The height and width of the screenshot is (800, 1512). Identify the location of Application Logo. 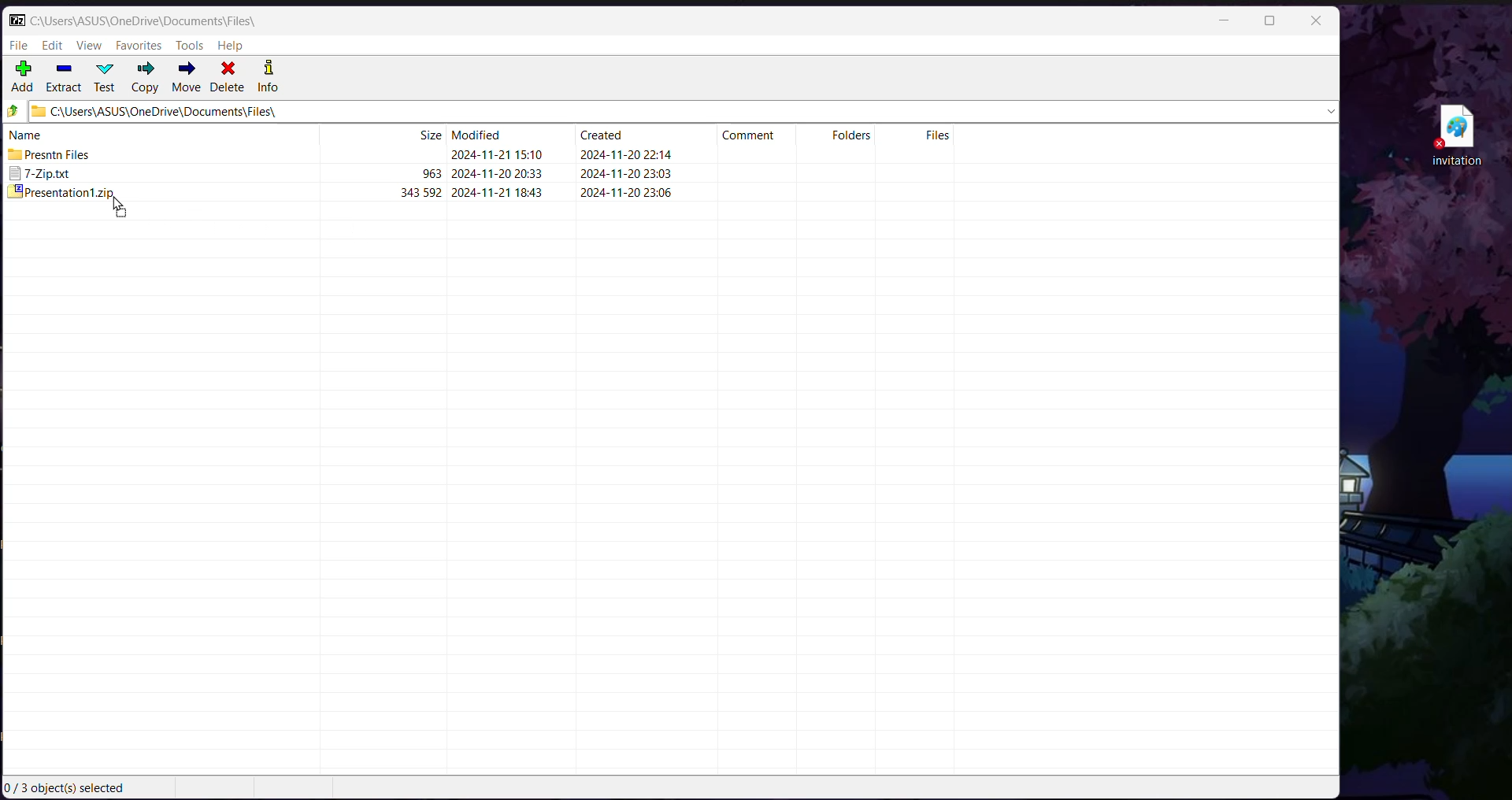
(17, 20).